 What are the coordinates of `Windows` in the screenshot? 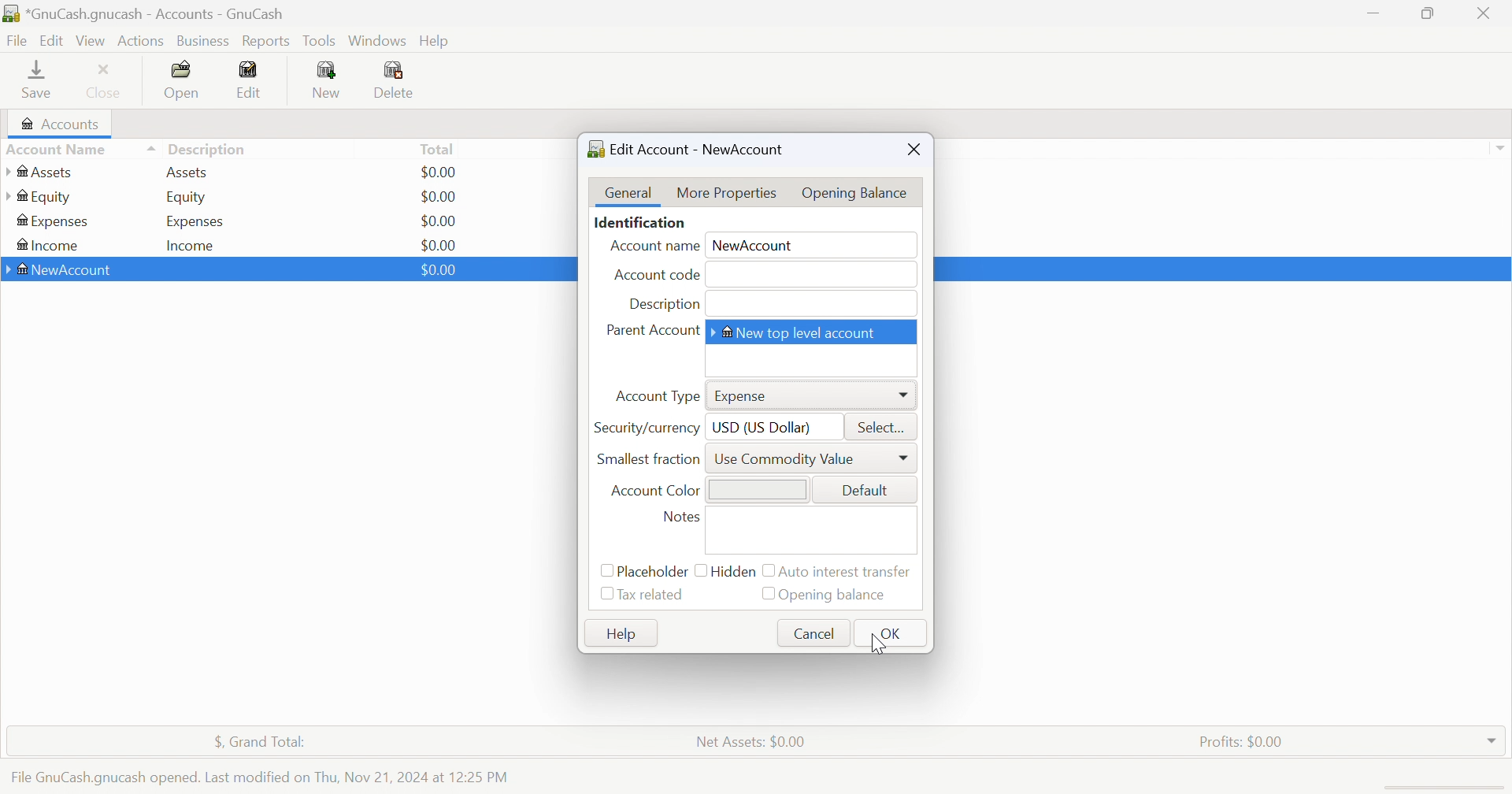 It's located at (377, 41).